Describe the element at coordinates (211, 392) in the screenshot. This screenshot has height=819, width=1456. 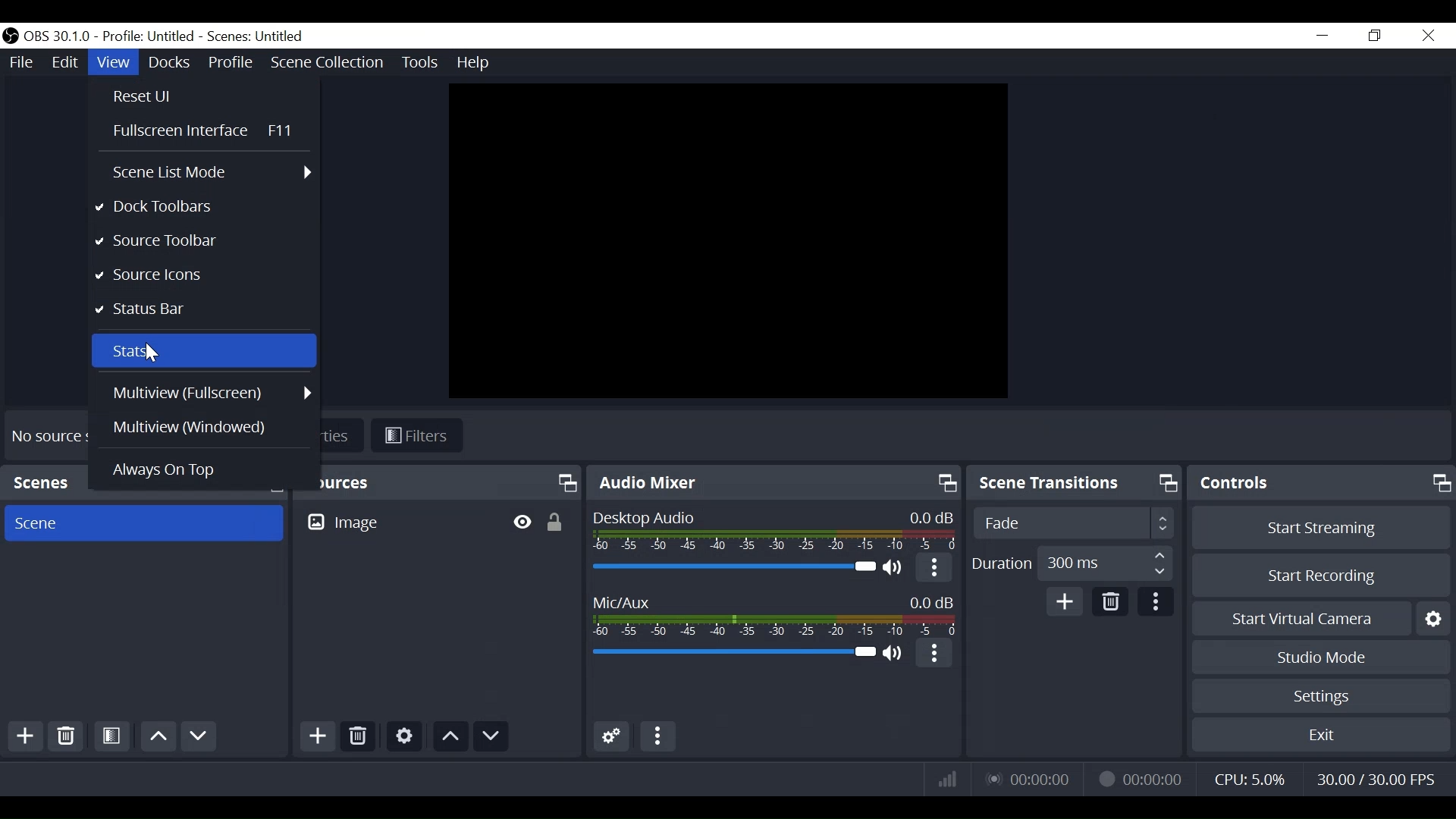
I see `Multiview(Fullscreen)` at that location.